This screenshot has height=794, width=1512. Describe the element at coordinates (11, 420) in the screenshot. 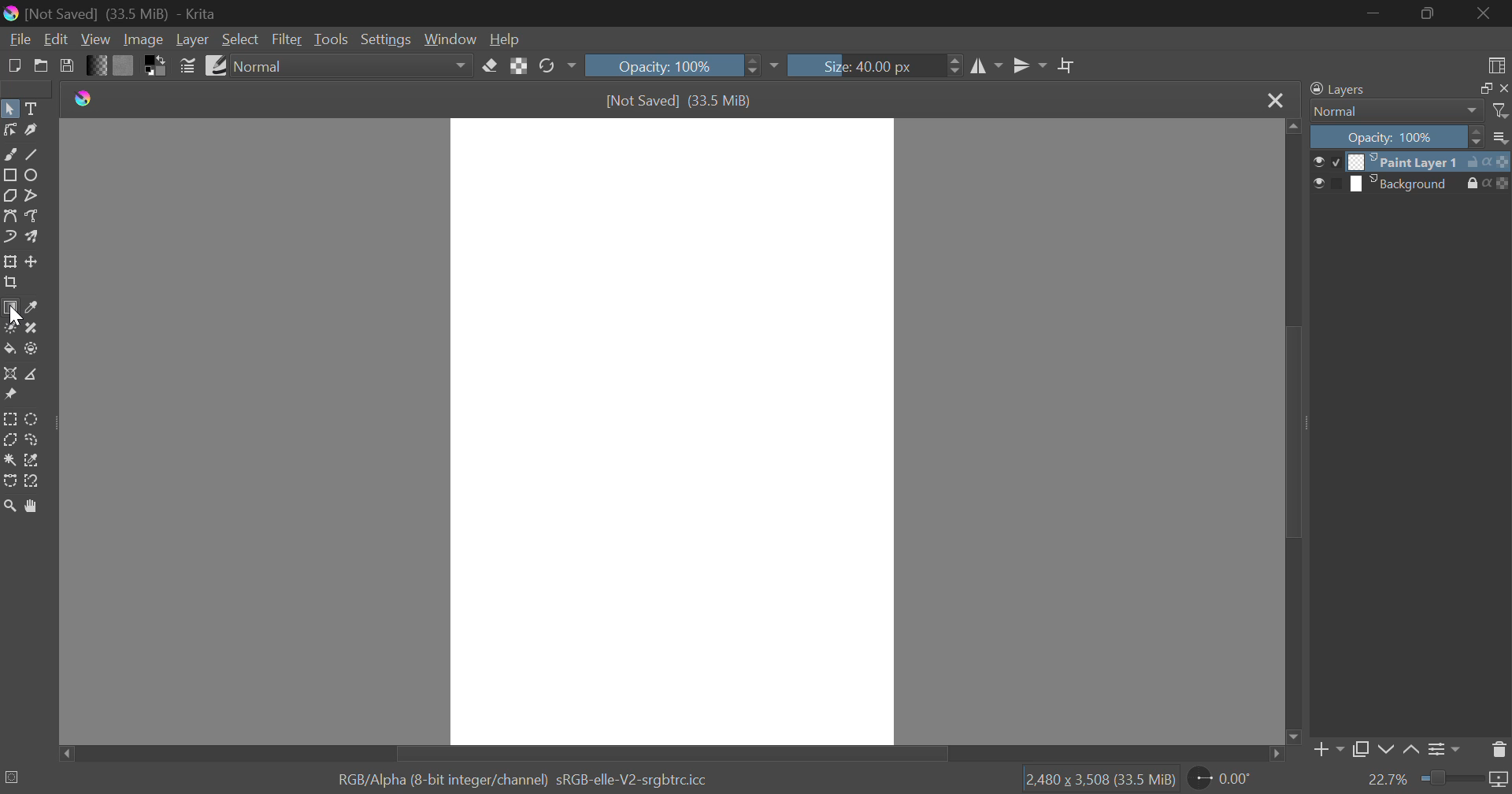

I see `Rectangular Selection` at that location.